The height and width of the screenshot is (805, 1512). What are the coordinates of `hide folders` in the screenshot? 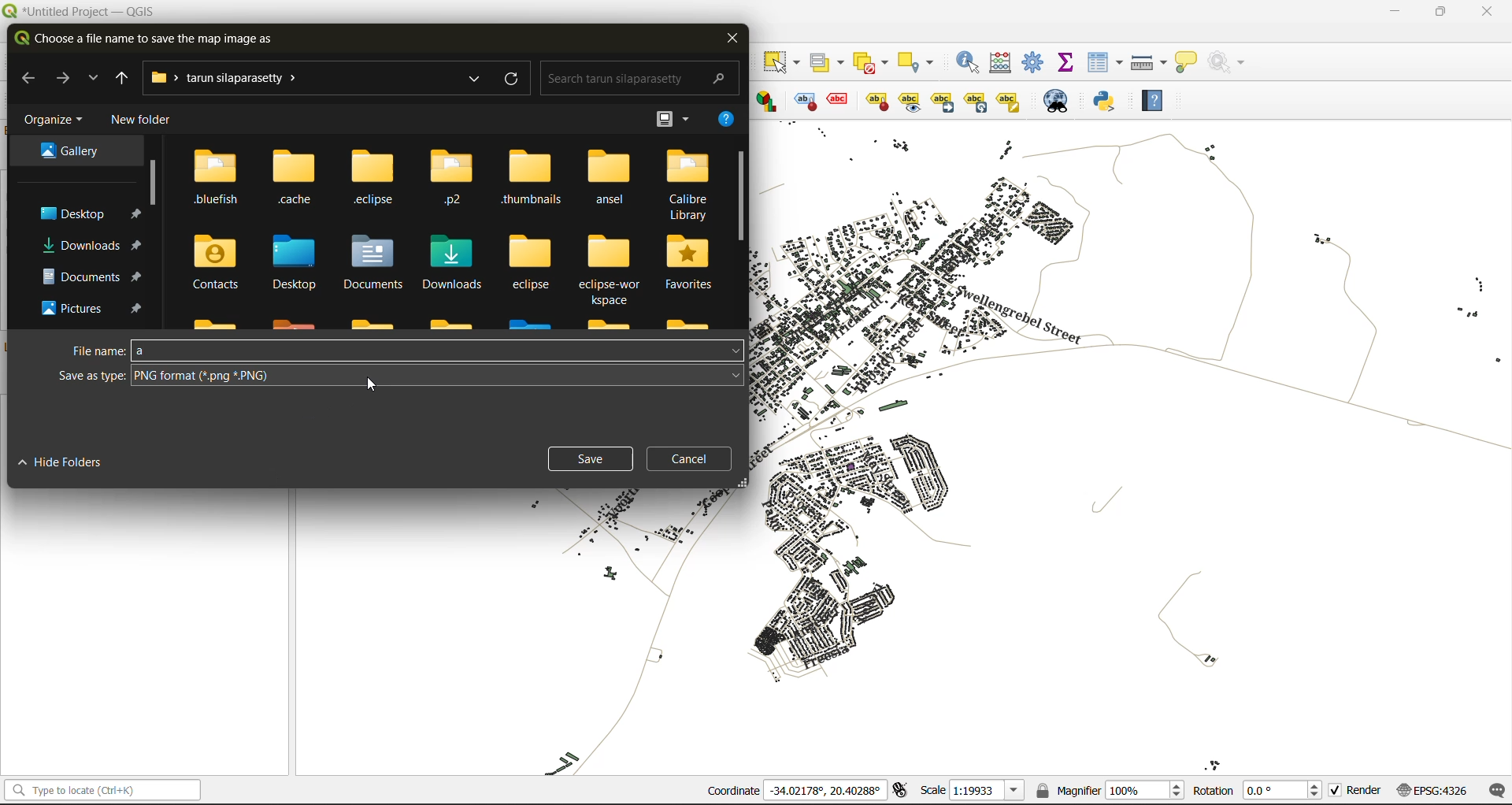 It's located at (72, 465).